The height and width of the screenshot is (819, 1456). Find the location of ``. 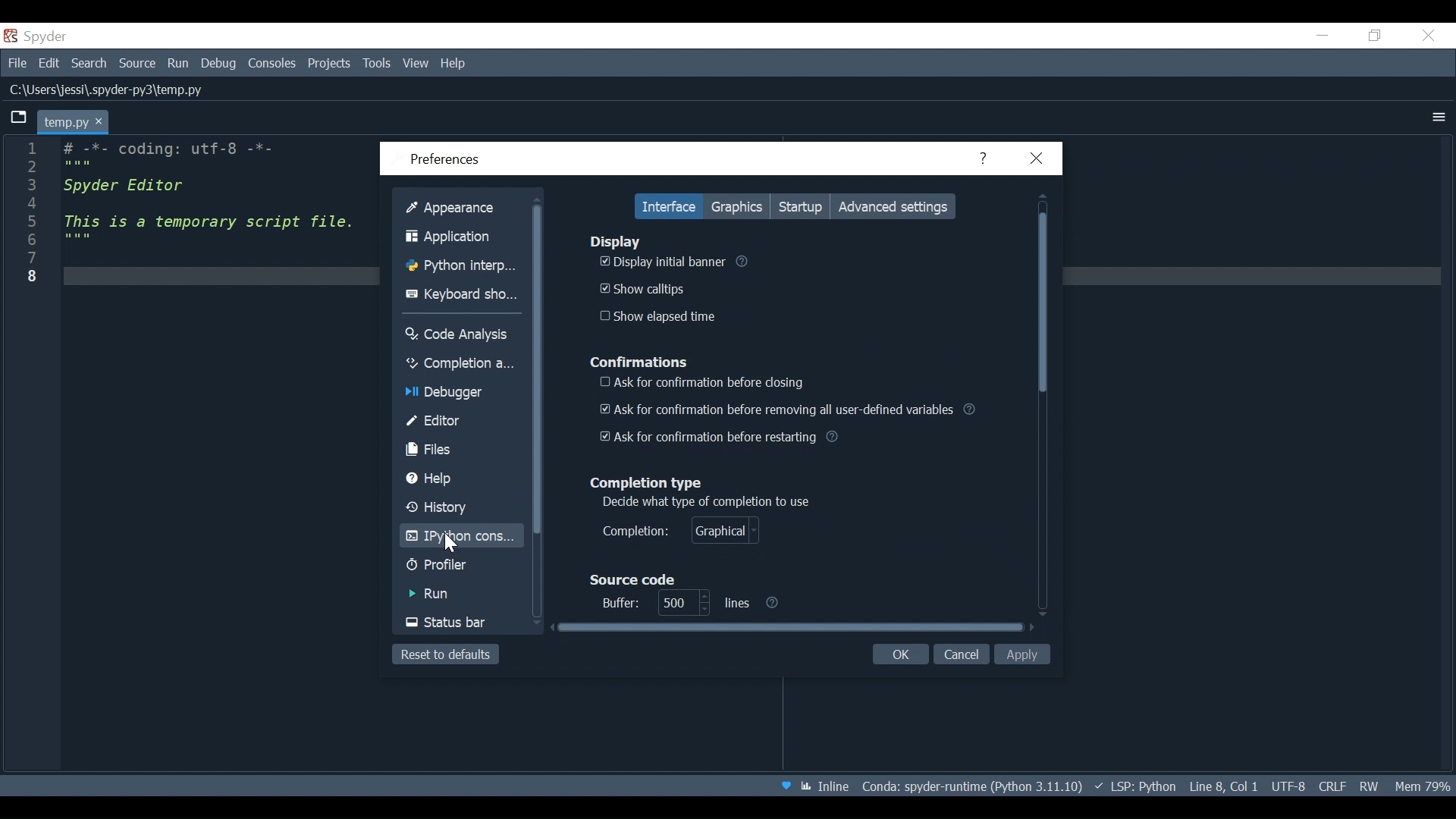

 is located at coordinates (755, 603).